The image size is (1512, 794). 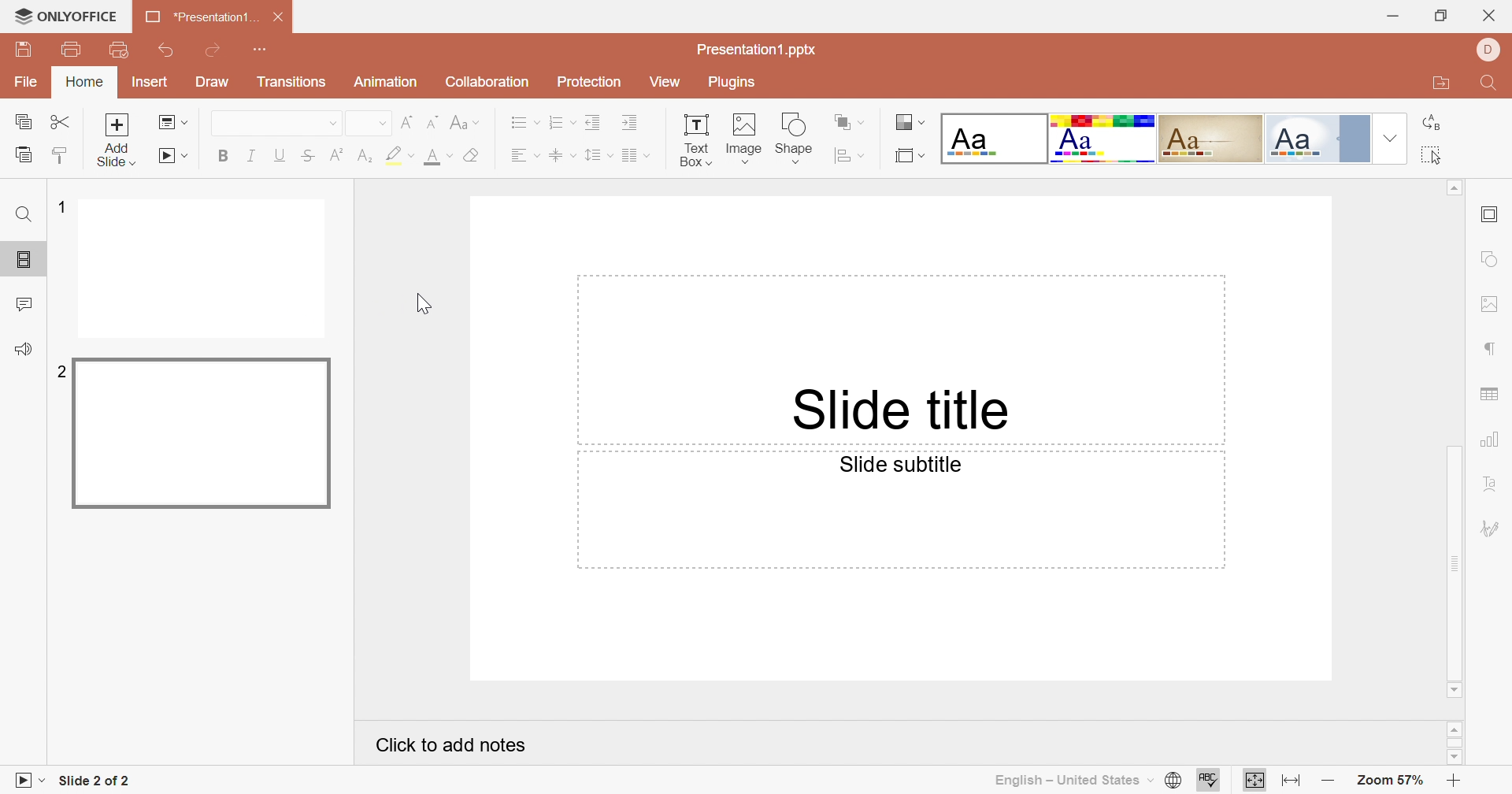 What do you see at coordinates (1452, 731) in the screenshot?
I see `Scroll up` at bounding box center [1452, 731].